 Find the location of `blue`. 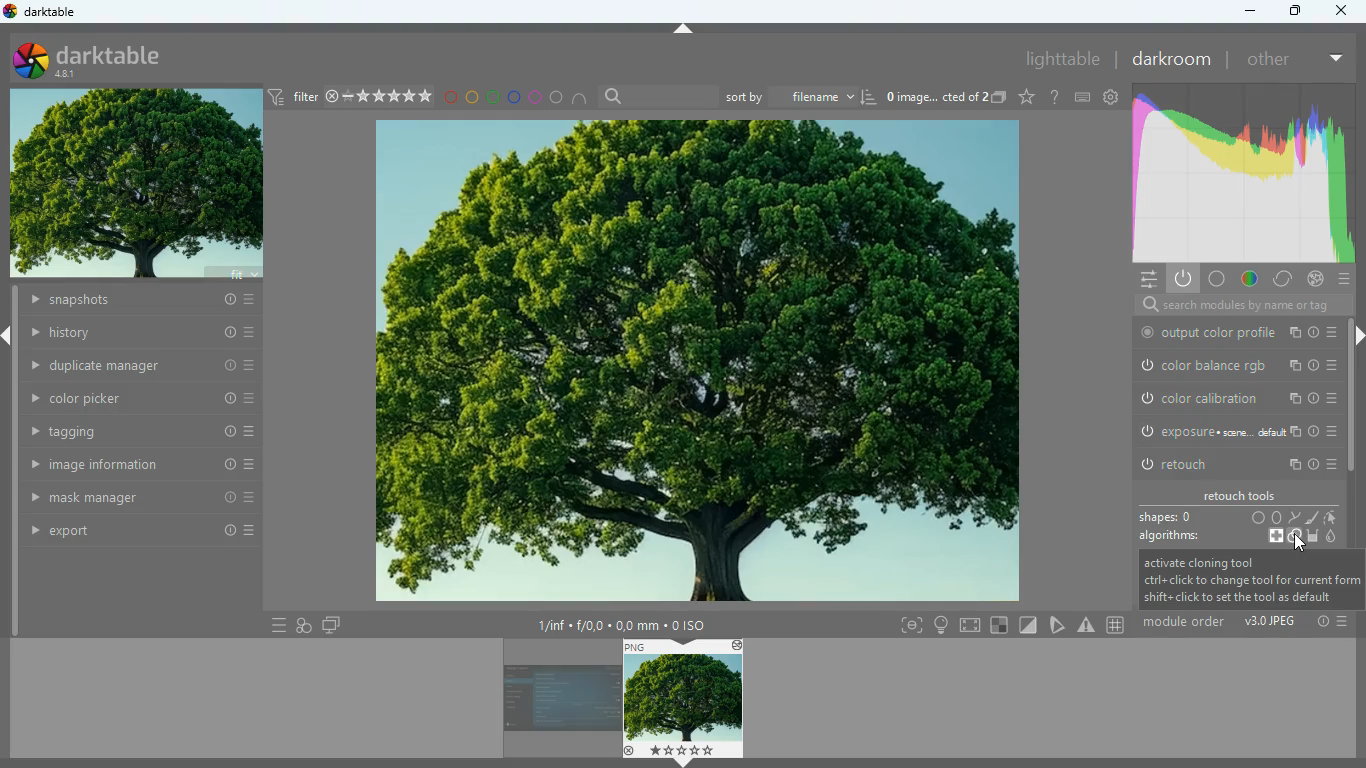

blue is located at coordinates (514, 98).